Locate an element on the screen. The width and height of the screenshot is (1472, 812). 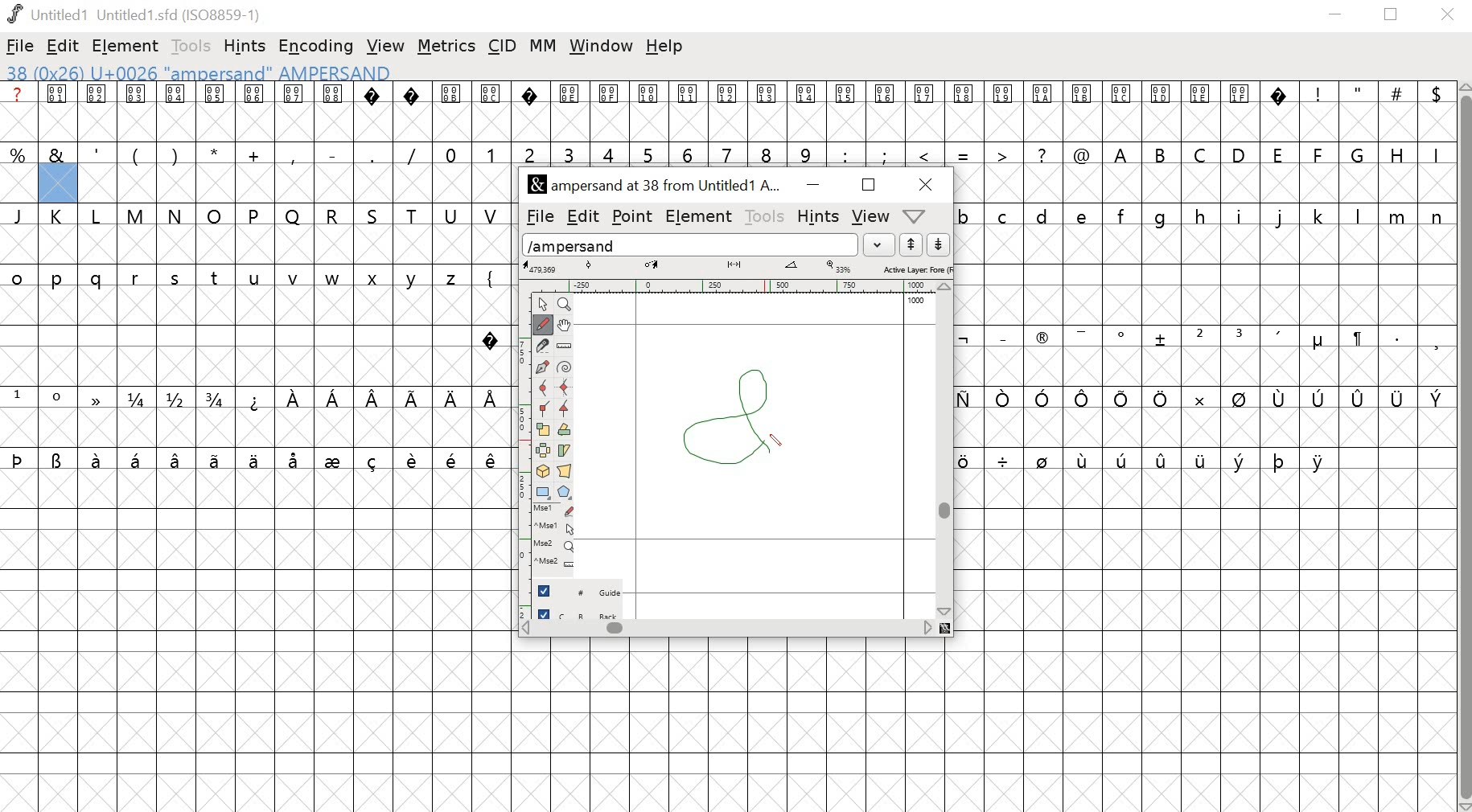
0002 is located at coordinates (98, 110).